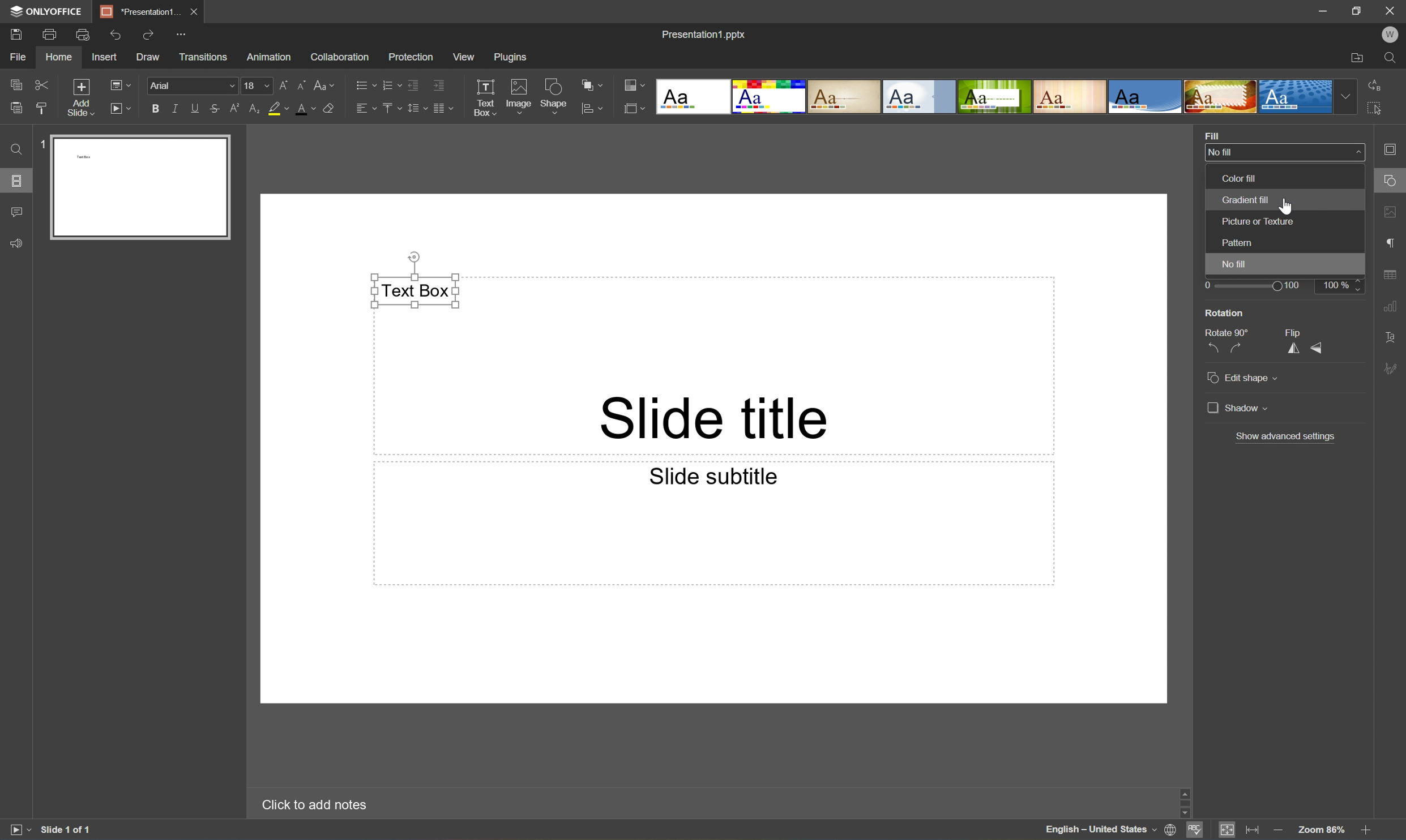 This screenshot has width=1406, height=840. Describe the element at coordinates (212, 108) in the screenshot. I see `Strikethrough` at that location.